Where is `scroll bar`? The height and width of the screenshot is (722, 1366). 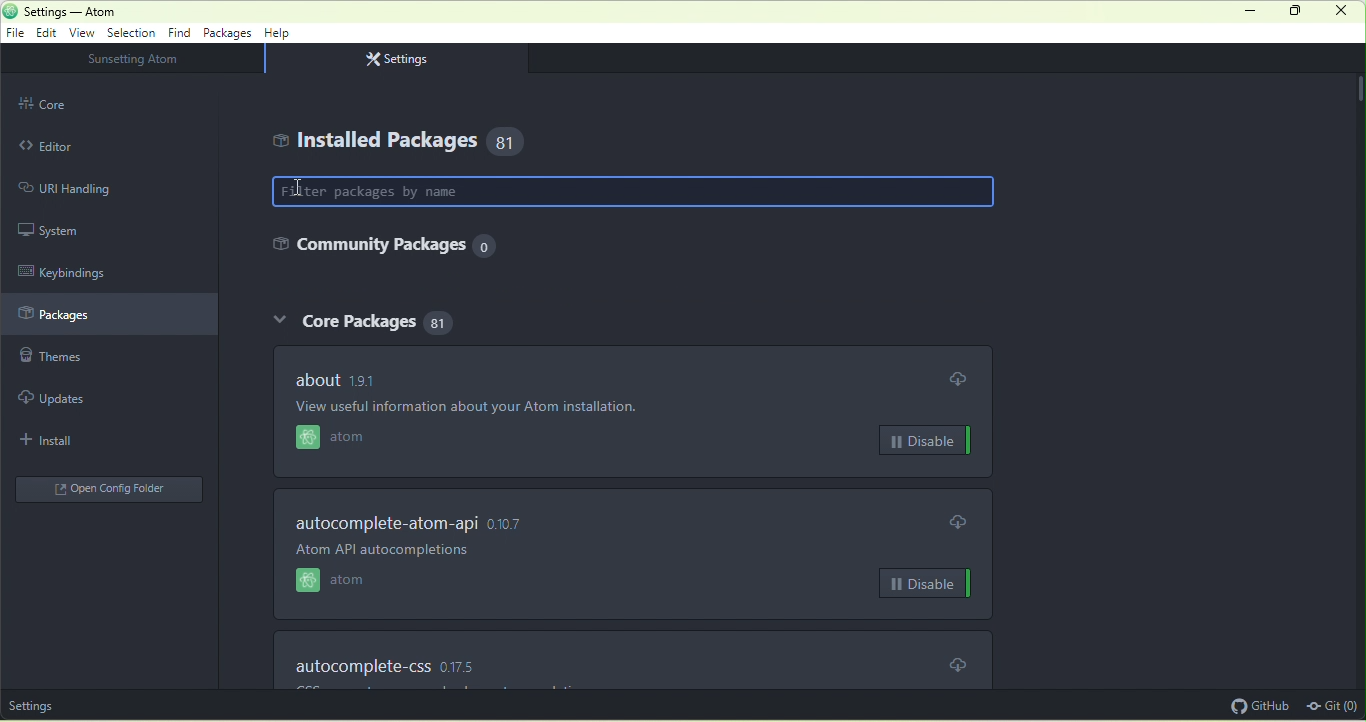
scroll bar is located at coordinates (1357, 87).